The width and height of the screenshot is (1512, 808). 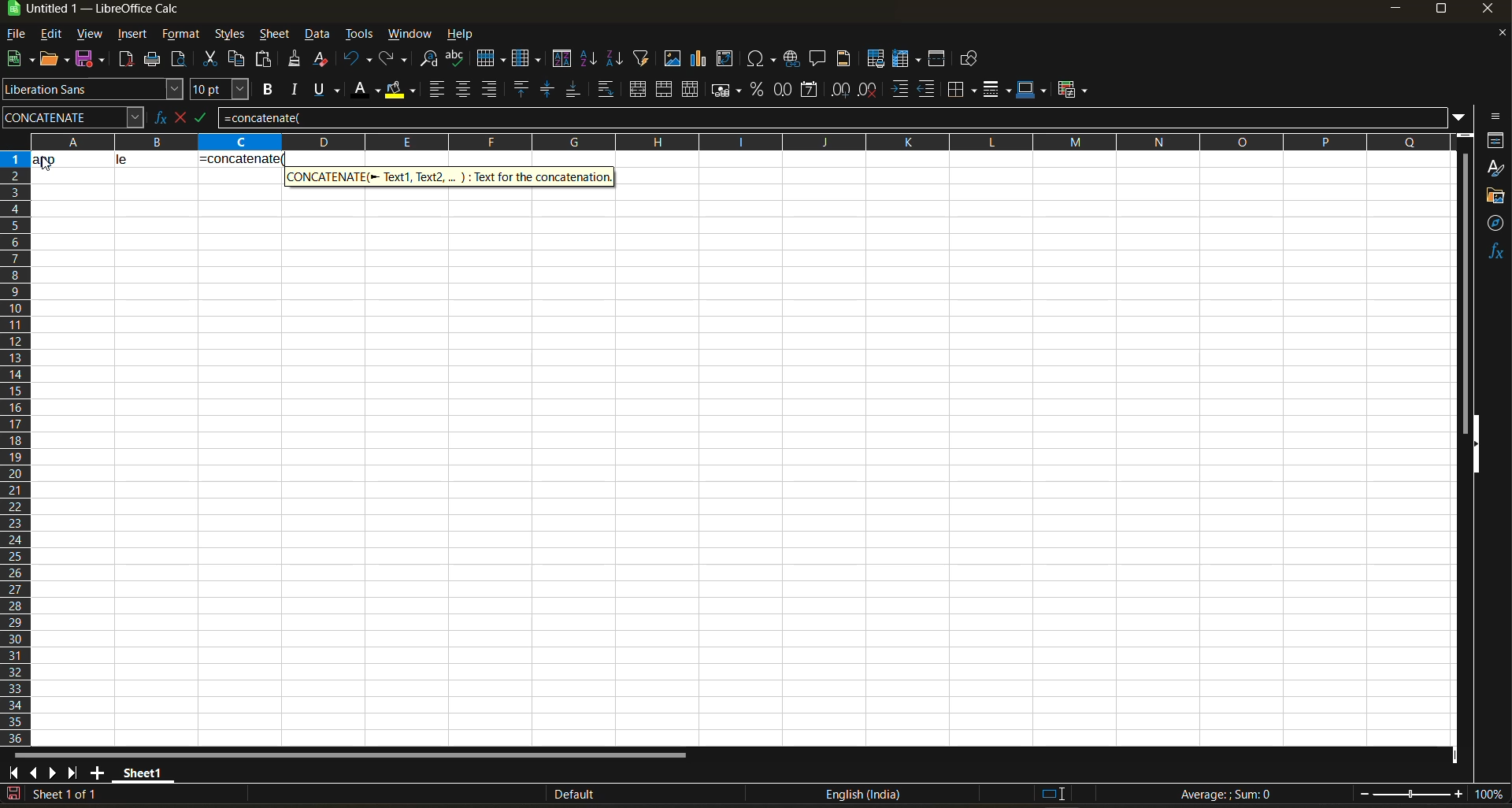 What do you see at coordinates (996, 90) in the screenshot?
I see `border style` at bounding box center [996, 90].